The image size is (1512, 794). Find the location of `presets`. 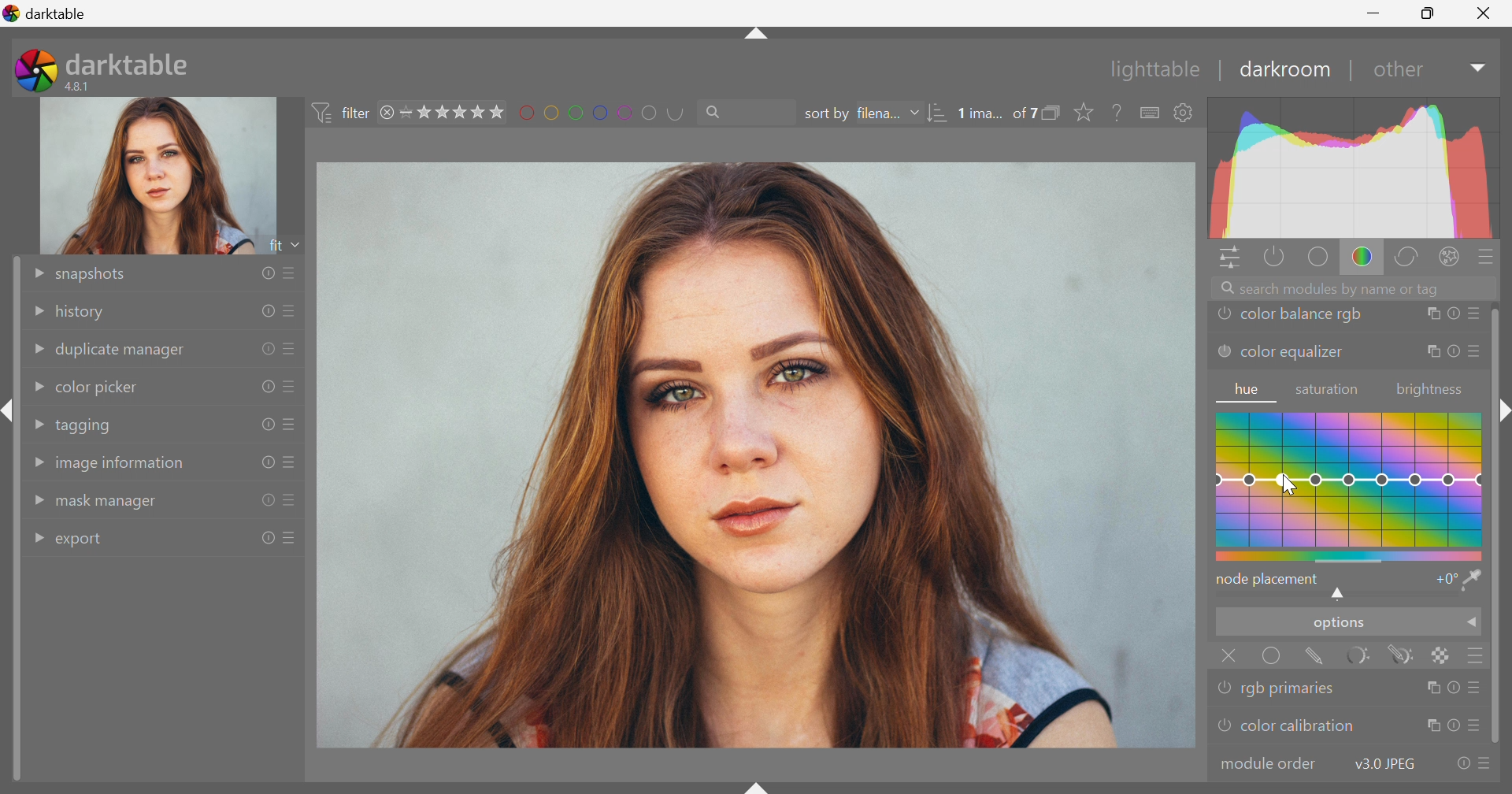

presets is located at coordinates (292, 270).